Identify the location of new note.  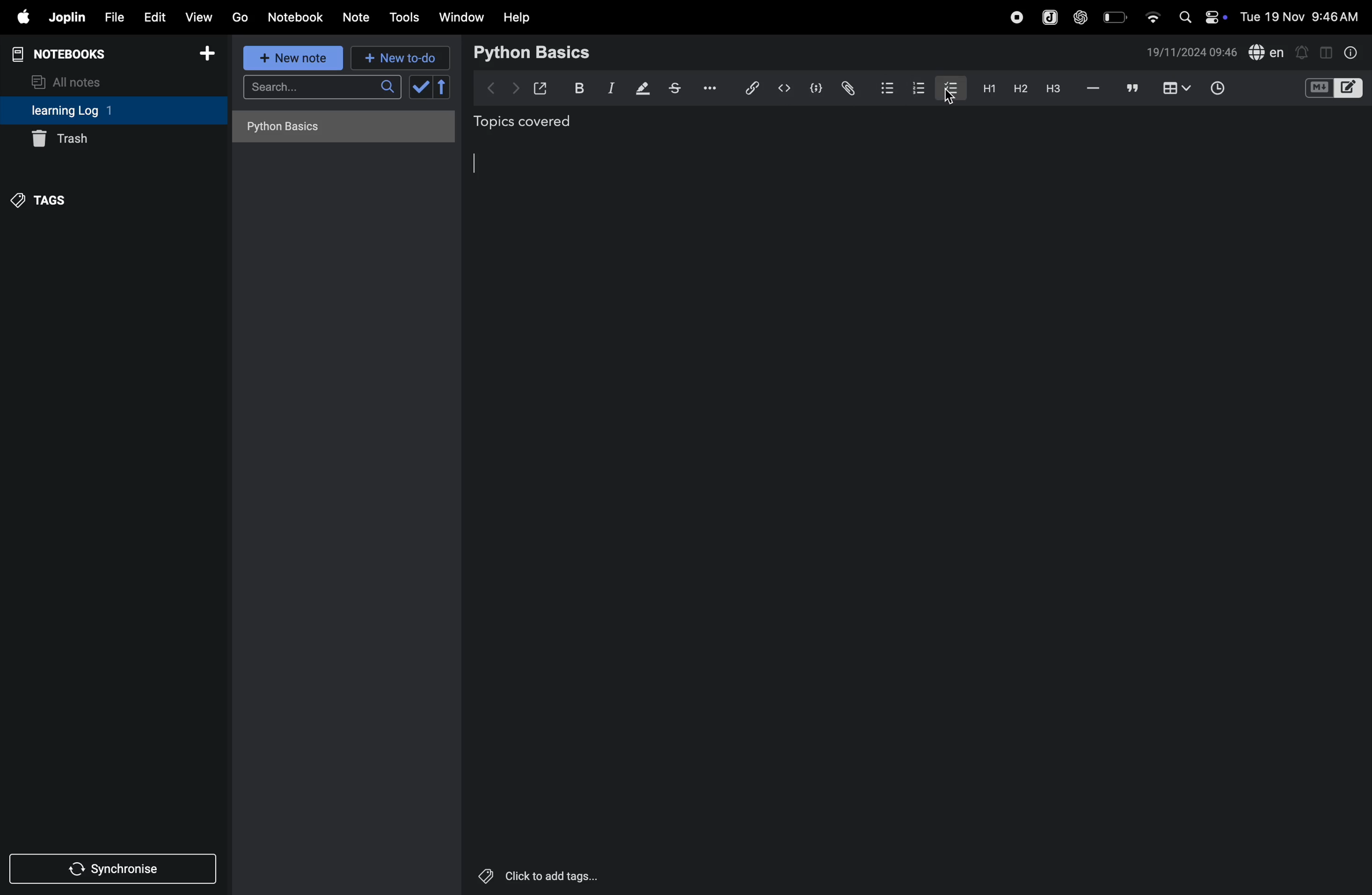
(290, 58).